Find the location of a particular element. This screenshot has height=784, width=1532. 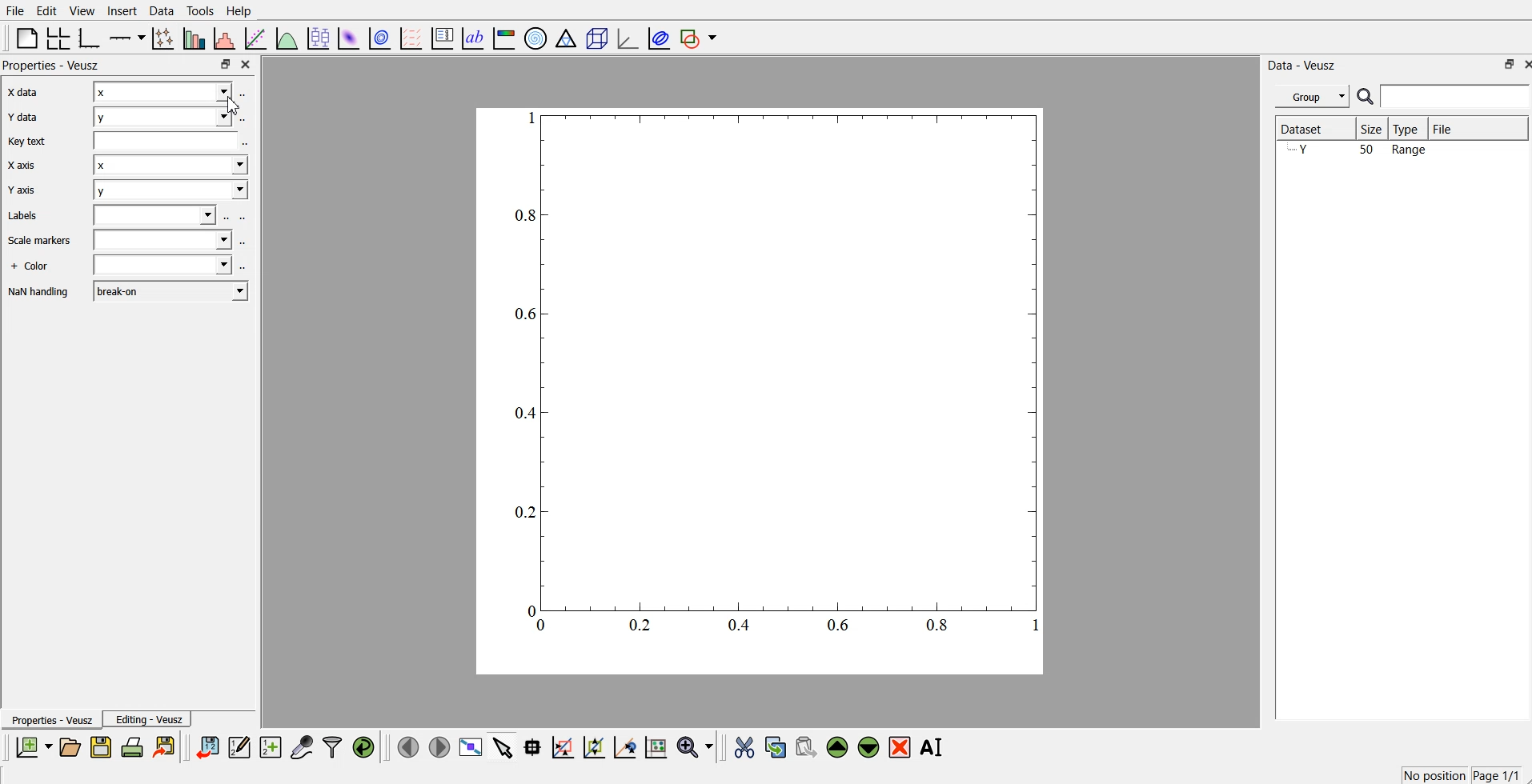

 is located at coordinates (37, 267).